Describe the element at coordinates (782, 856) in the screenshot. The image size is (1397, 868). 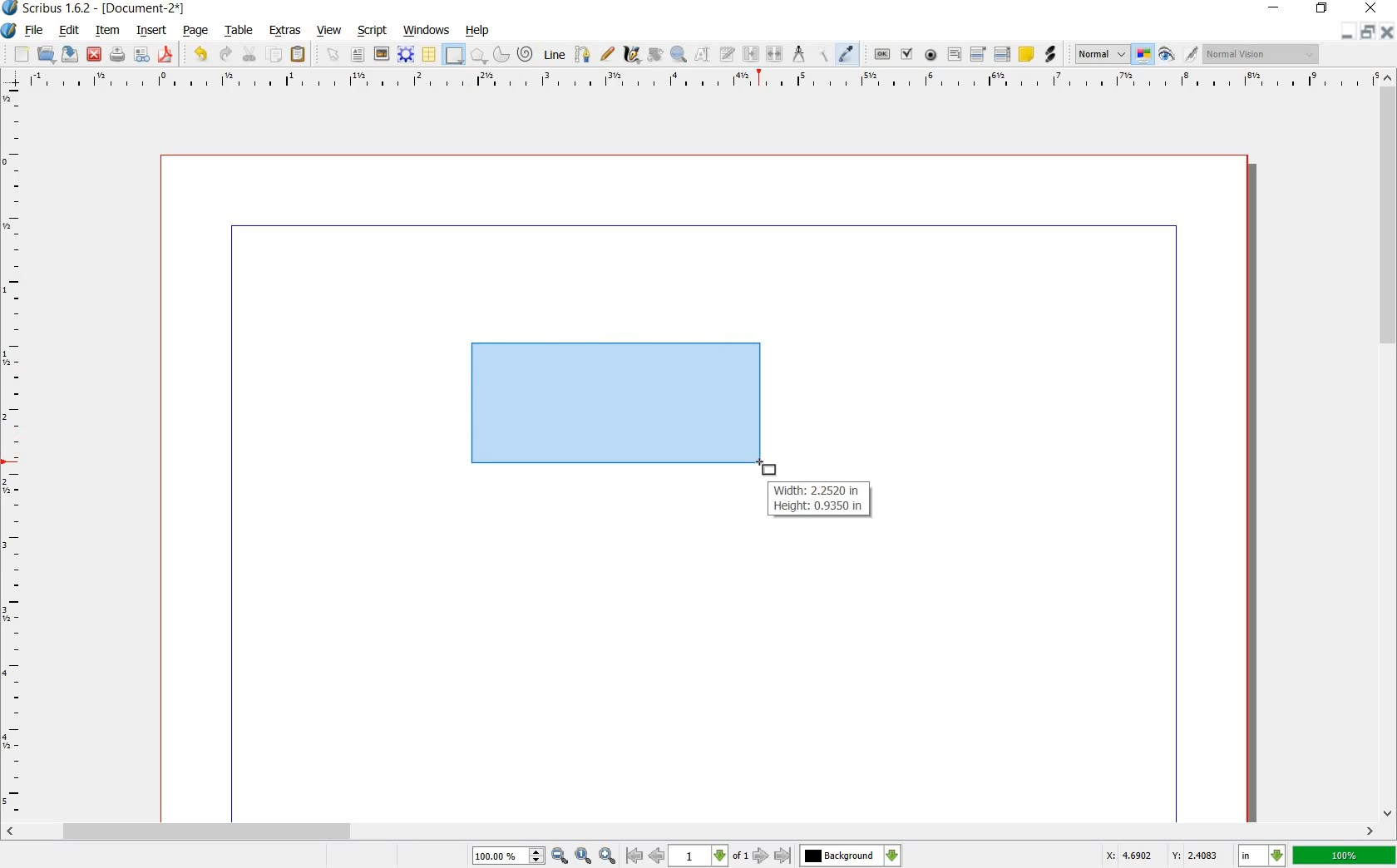
I see `go to last page` at that location.